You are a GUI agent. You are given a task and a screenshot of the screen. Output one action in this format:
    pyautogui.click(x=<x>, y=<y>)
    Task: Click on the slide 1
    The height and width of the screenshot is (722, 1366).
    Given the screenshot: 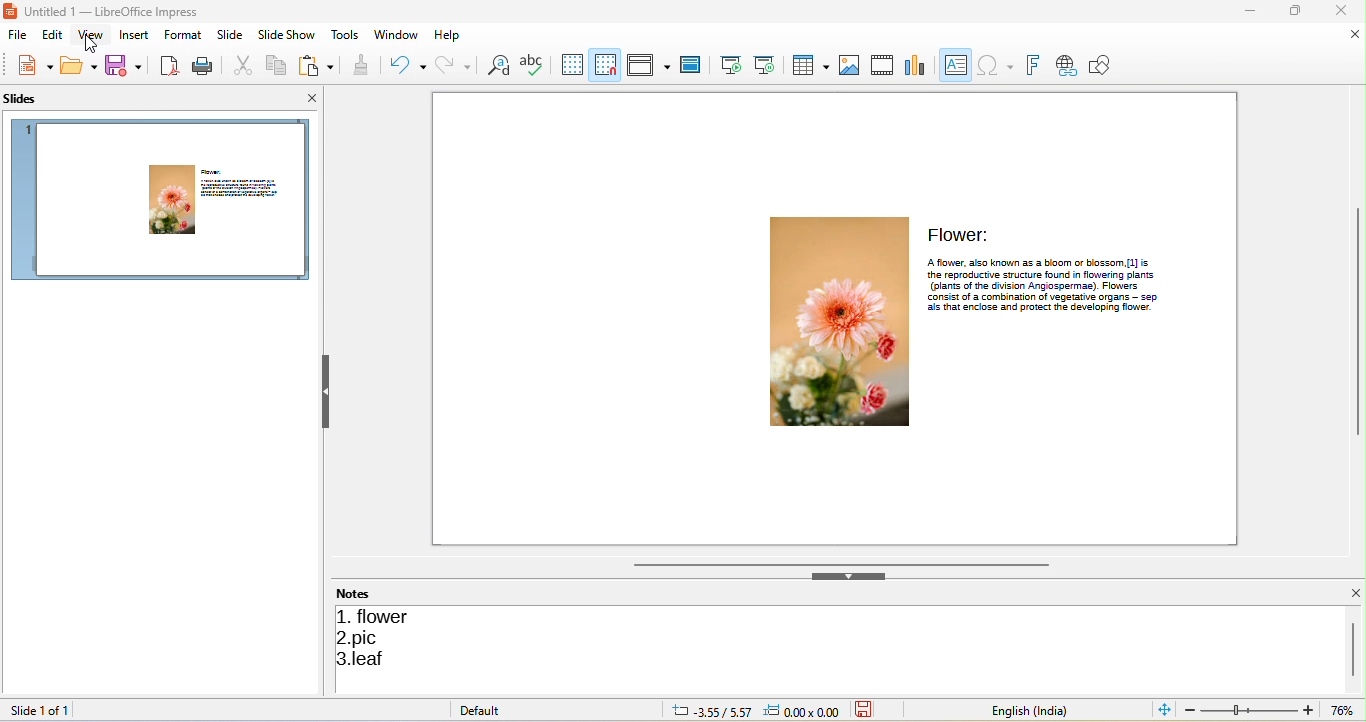 What is the action you would take?
    pyautogui.click(x=164, y=199)
    